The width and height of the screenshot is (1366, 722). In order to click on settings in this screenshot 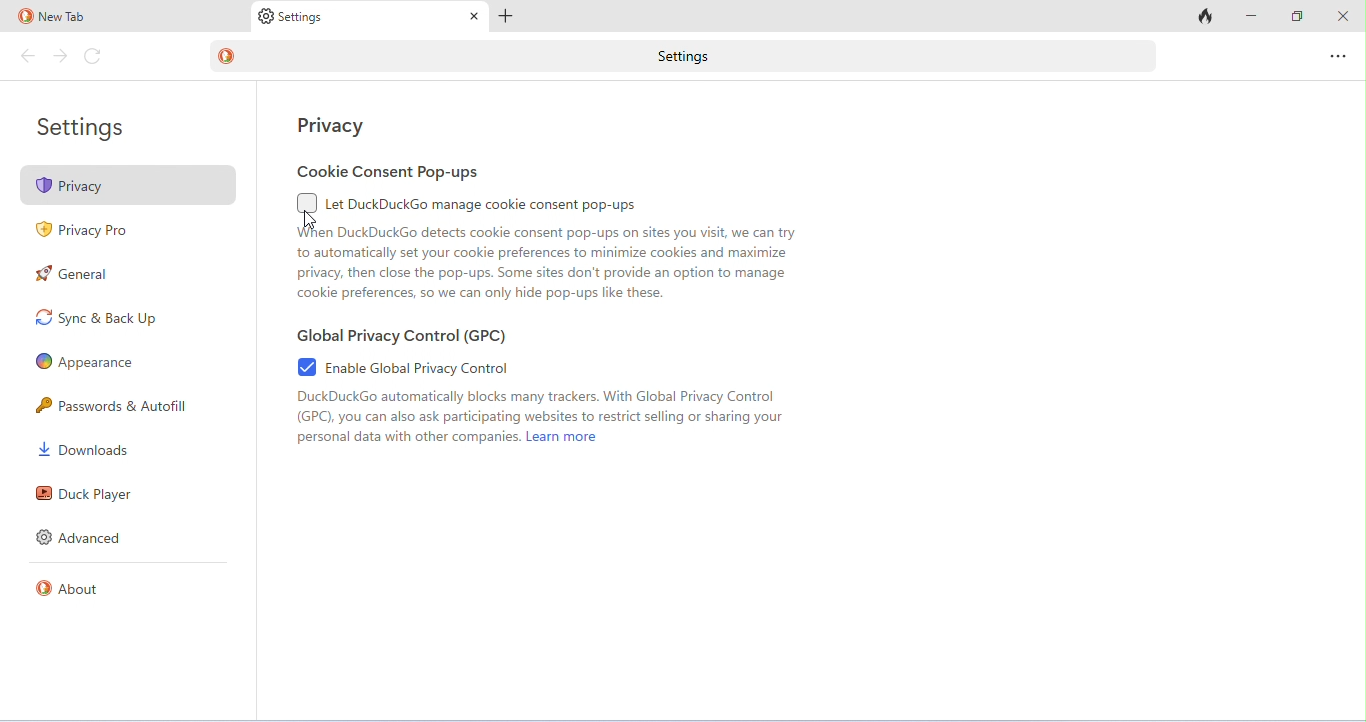, I will do `click(291, 18)`.